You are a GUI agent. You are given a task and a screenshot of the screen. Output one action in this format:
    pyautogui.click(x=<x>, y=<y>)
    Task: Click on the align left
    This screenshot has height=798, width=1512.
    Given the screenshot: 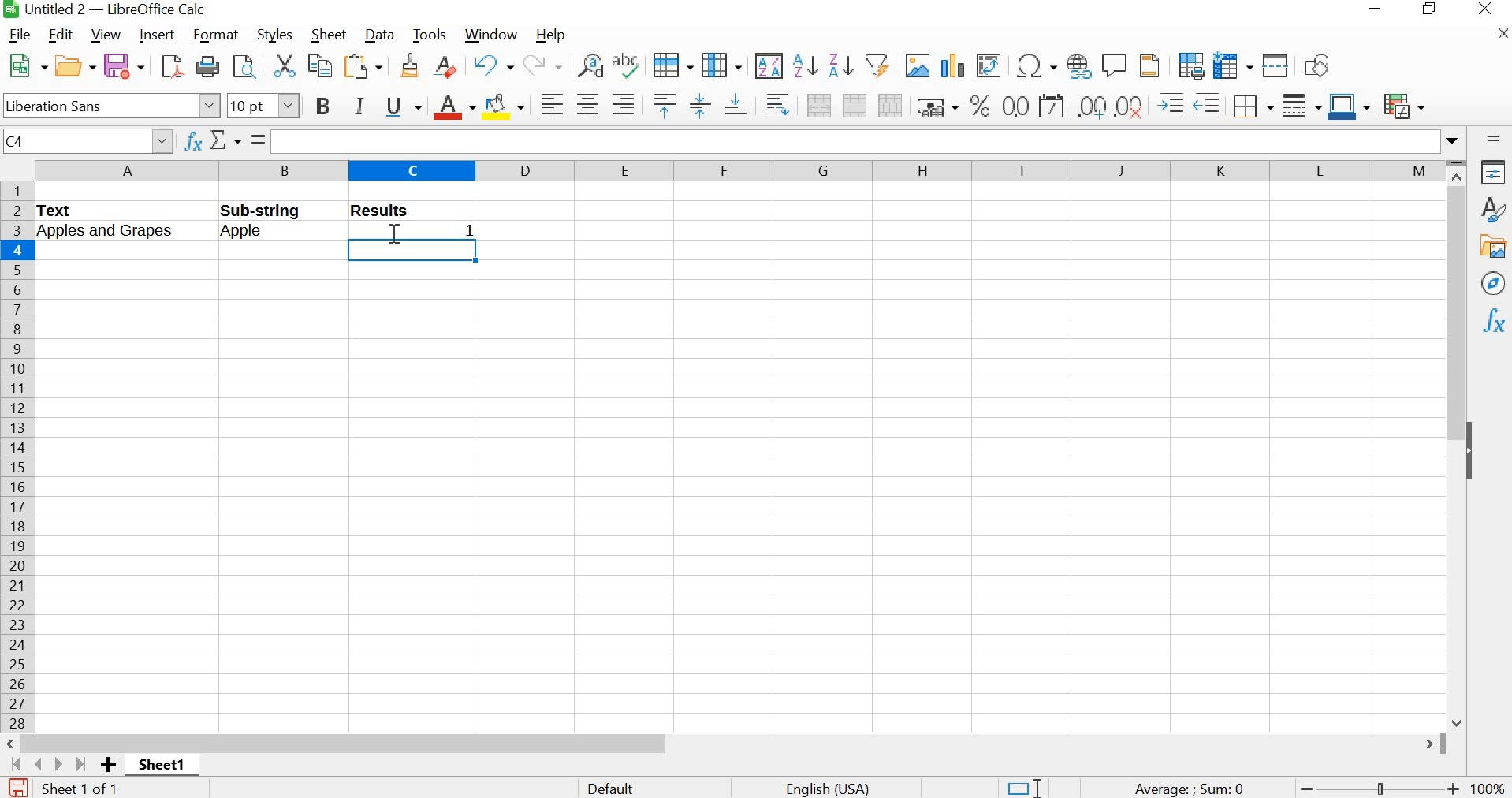 What is the action you would take?
    pyautogui.click(x=549, y=104)
    